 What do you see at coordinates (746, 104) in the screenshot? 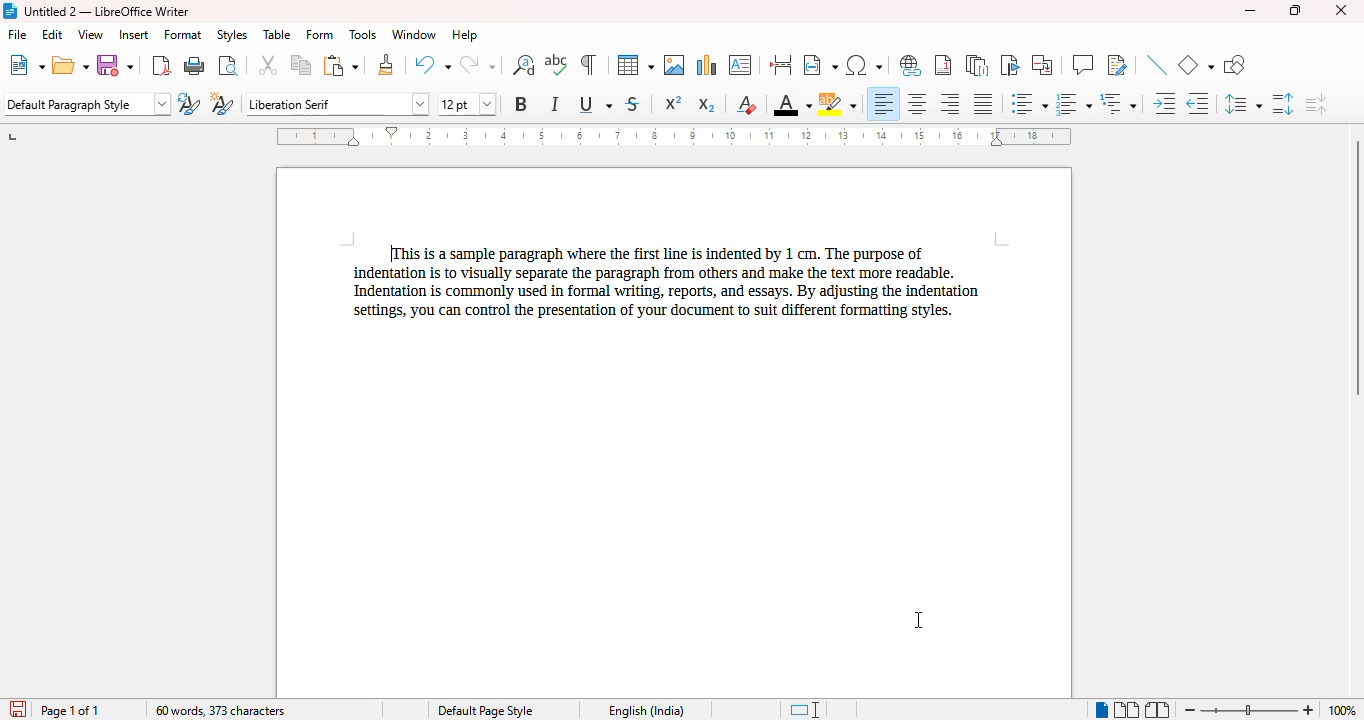
I see `clear direct formatting` at bounding box center [746, 104].